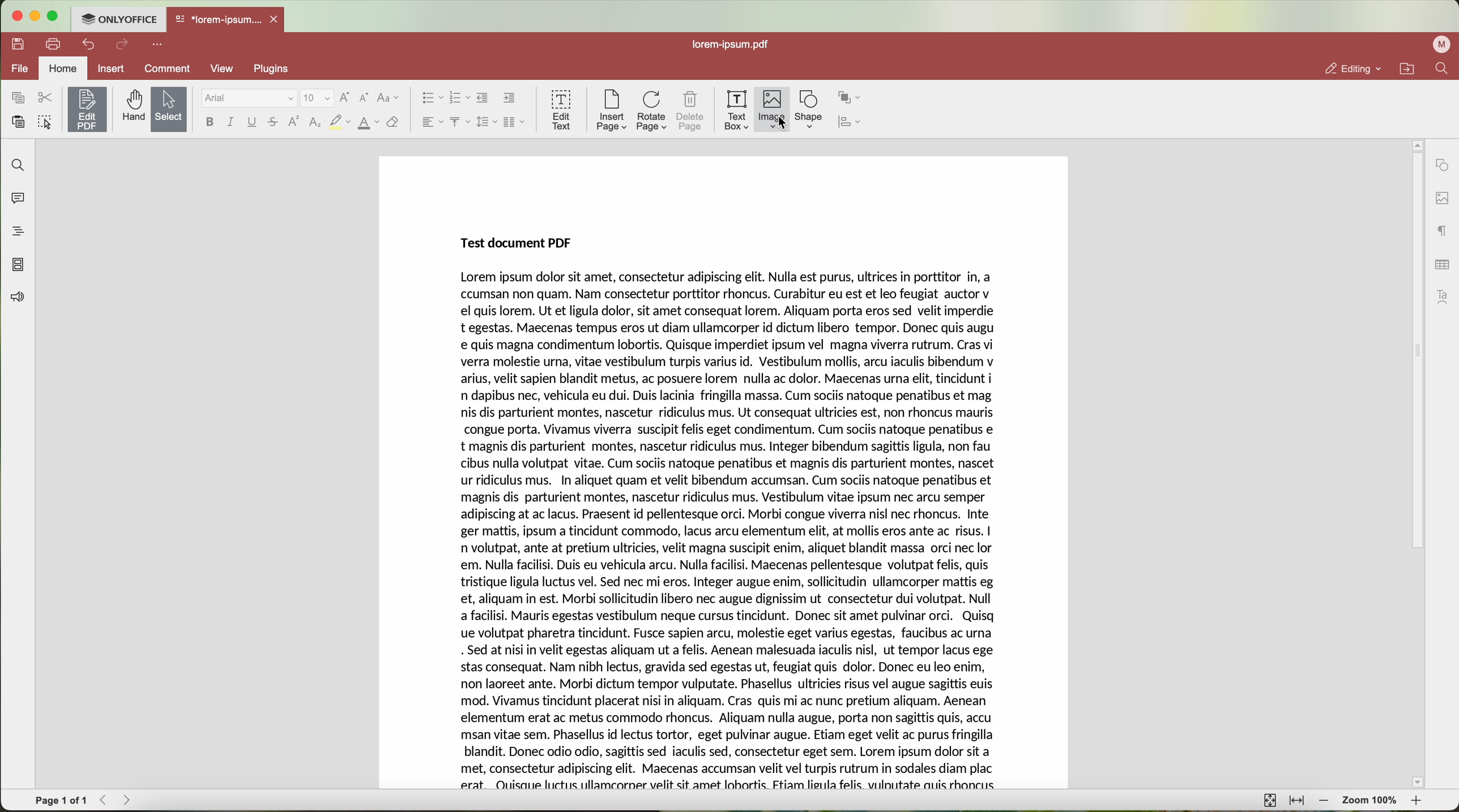  What do you see at coordinates (226, 69) in the screenshot?
I see `view` at bounding box center [226, 69].